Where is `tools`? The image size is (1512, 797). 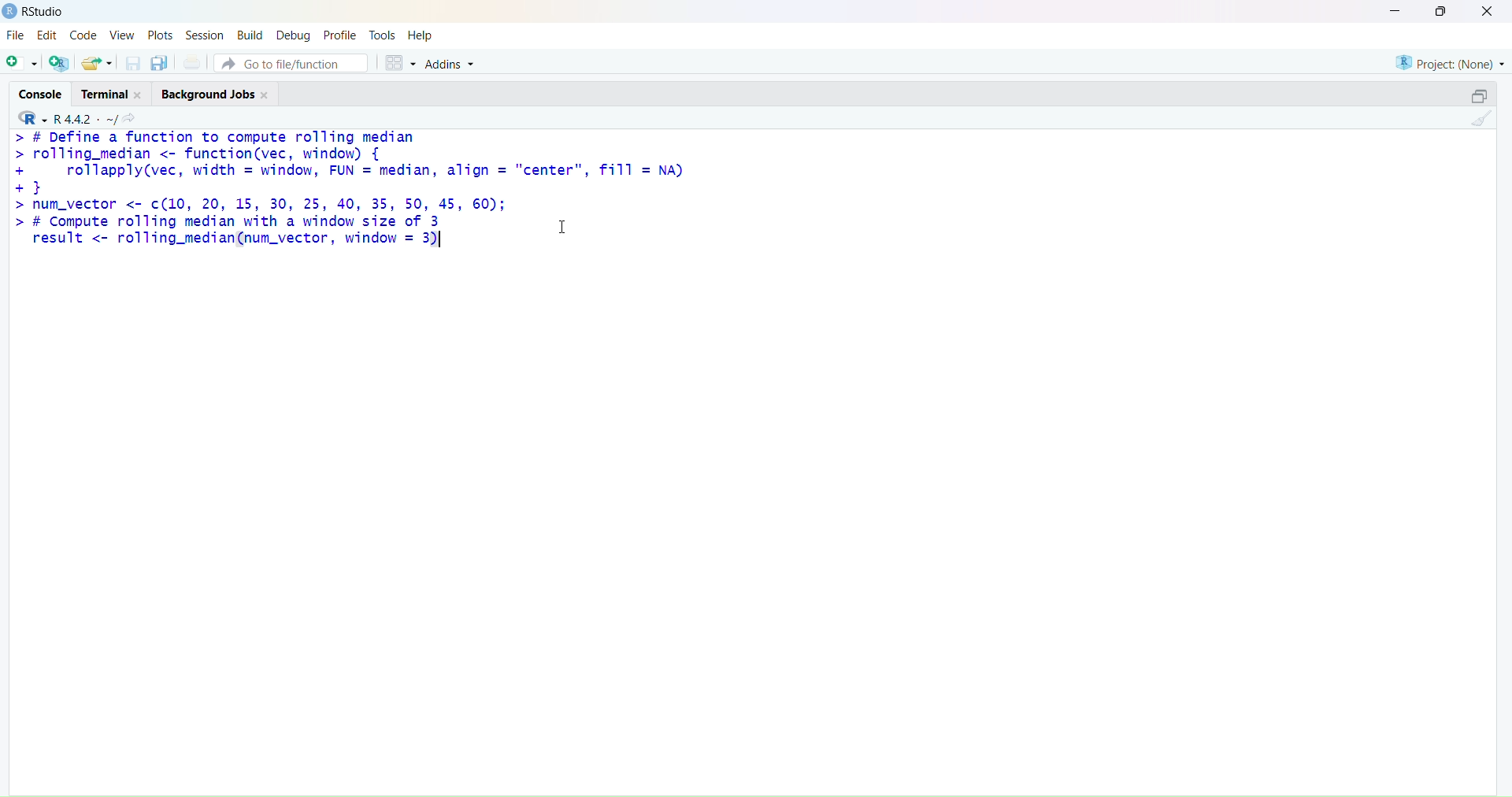
tools is located at coordinates (383, 35).